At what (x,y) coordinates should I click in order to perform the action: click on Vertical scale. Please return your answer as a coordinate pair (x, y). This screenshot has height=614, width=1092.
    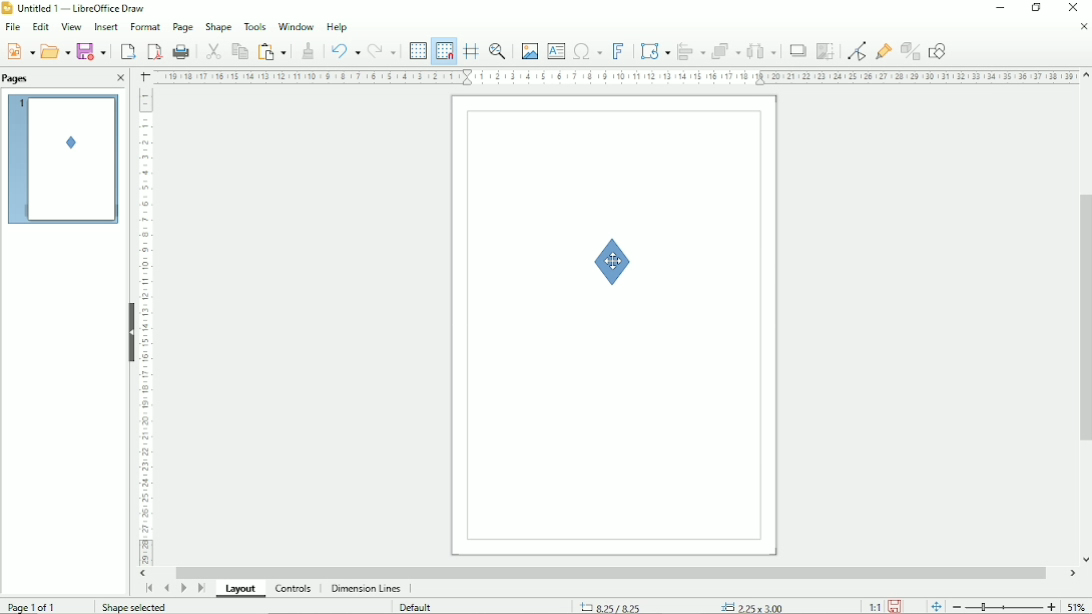
    Looking at the image, I should click on (149, 330).